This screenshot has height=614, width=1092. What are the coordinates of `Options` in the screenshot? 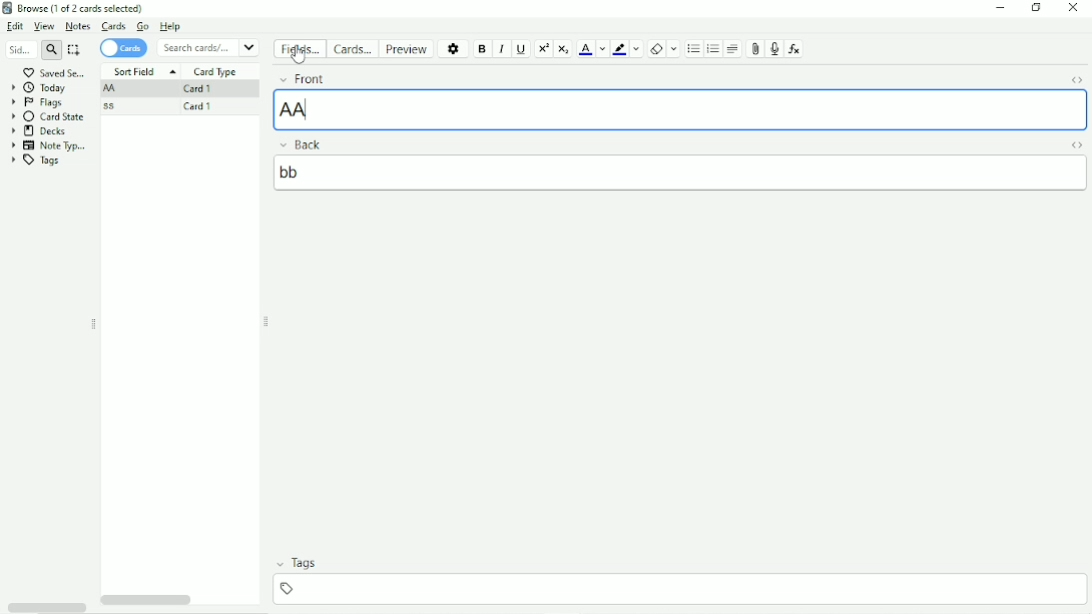 It's located at (452, 48).